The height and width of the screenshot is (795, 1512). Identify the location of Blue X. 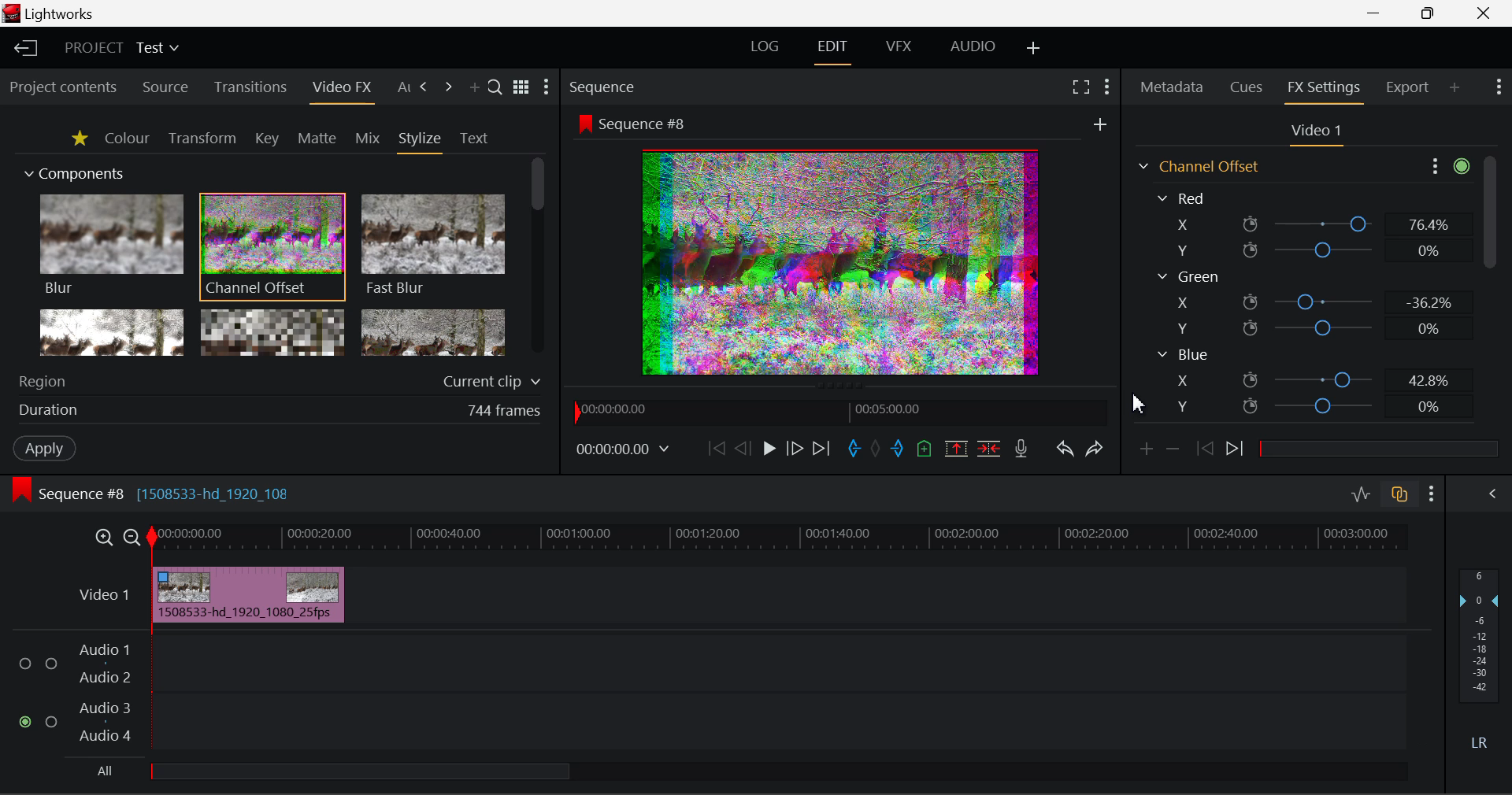
(1314, 379).